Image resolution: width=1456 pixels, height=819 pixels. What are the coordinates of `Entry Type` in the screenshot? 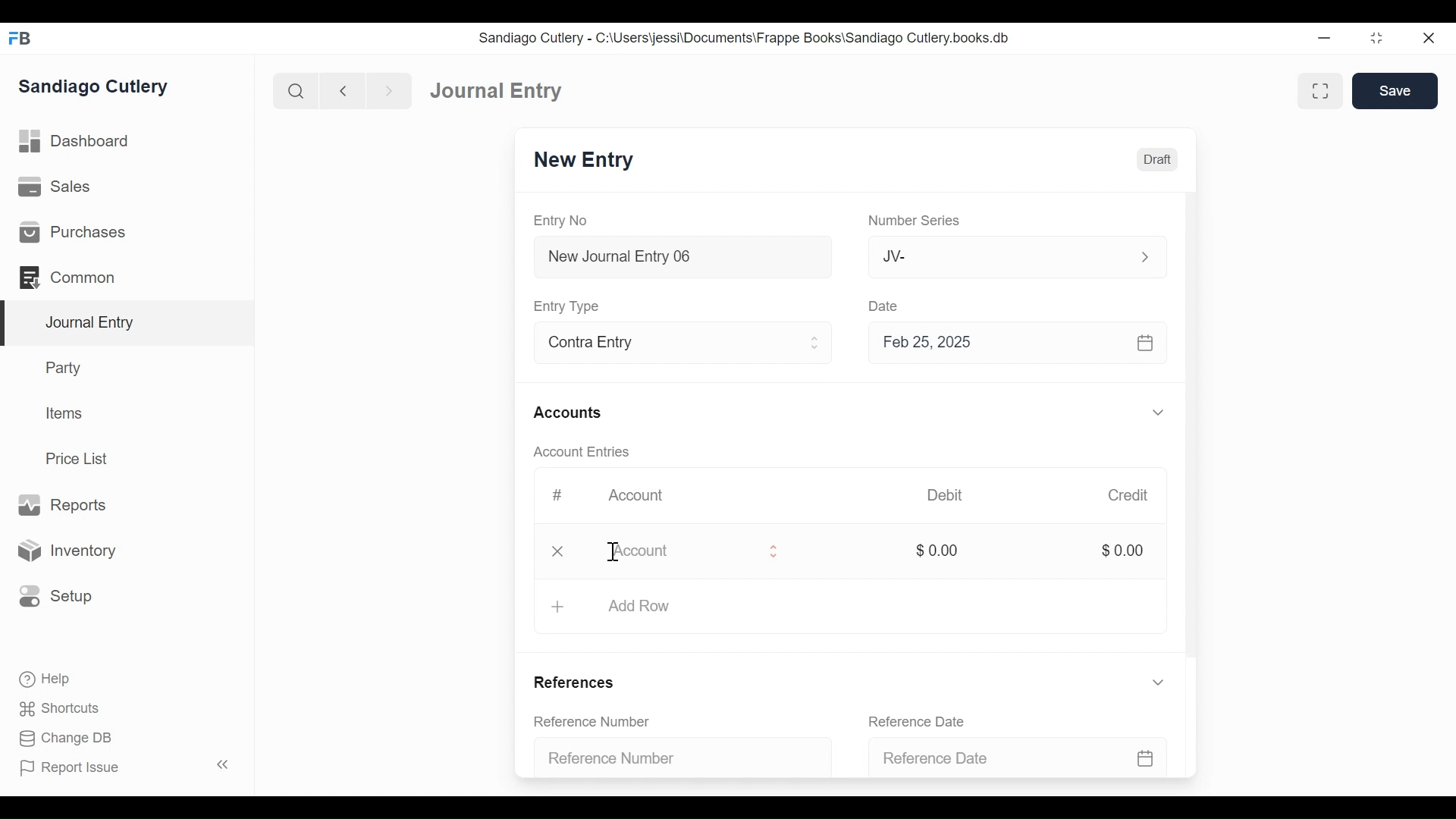 It's located at (569, 306).